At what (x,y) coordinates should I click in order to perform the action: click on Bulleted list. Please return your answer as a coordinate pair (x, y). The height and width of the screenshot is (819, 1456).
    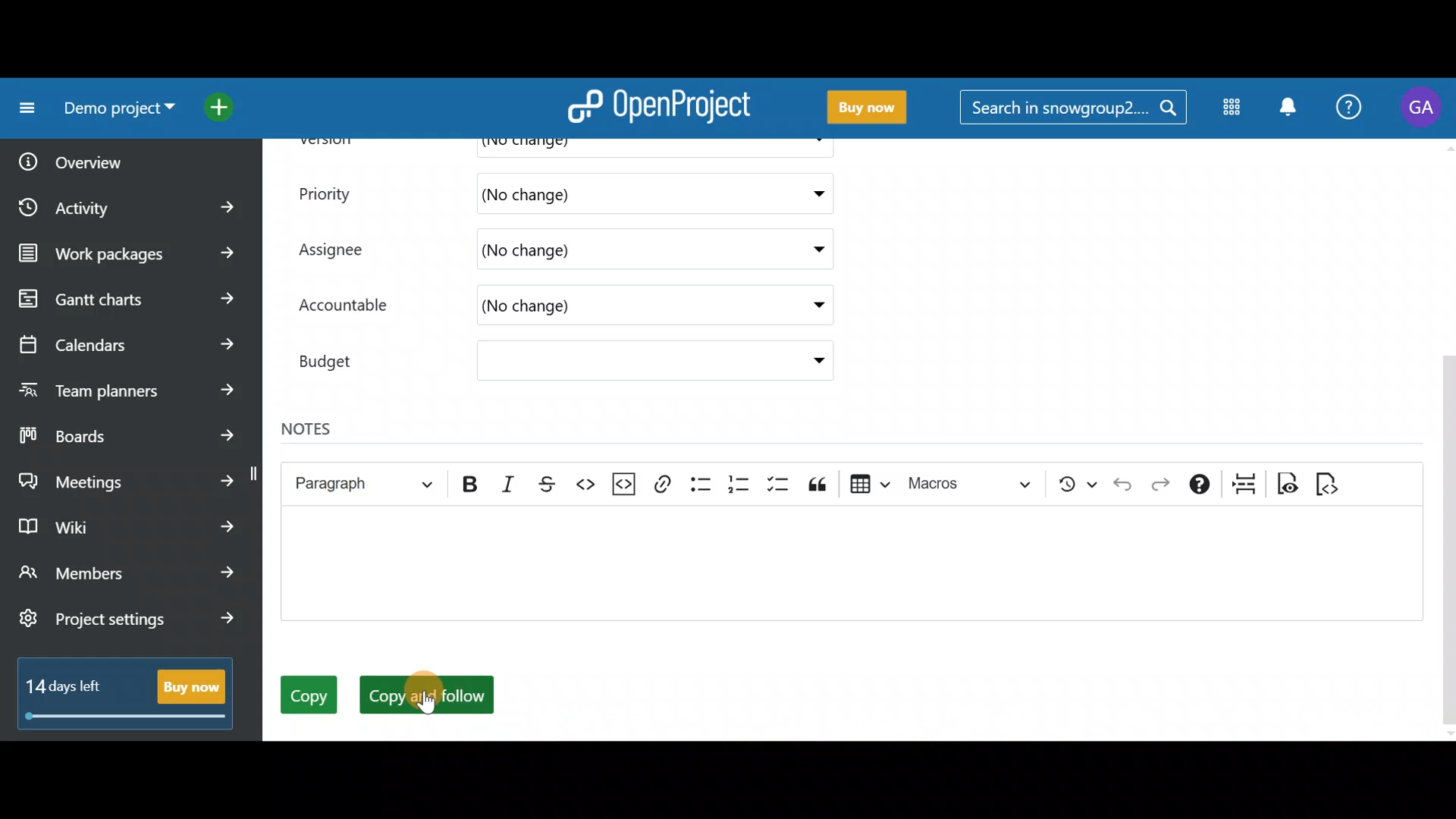
    Looking at the image, I should click on (704, 484).